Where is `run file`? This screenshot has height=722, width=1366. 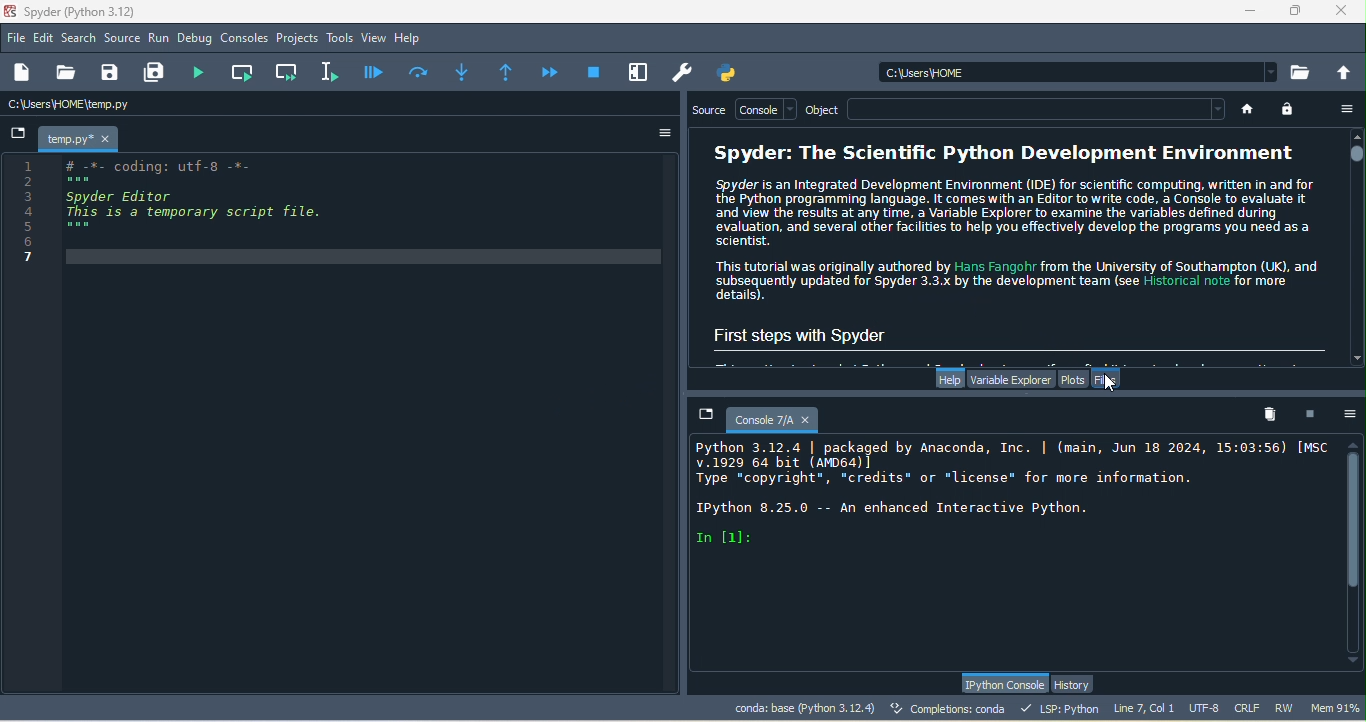
run file is located at coordinates (204, 72).